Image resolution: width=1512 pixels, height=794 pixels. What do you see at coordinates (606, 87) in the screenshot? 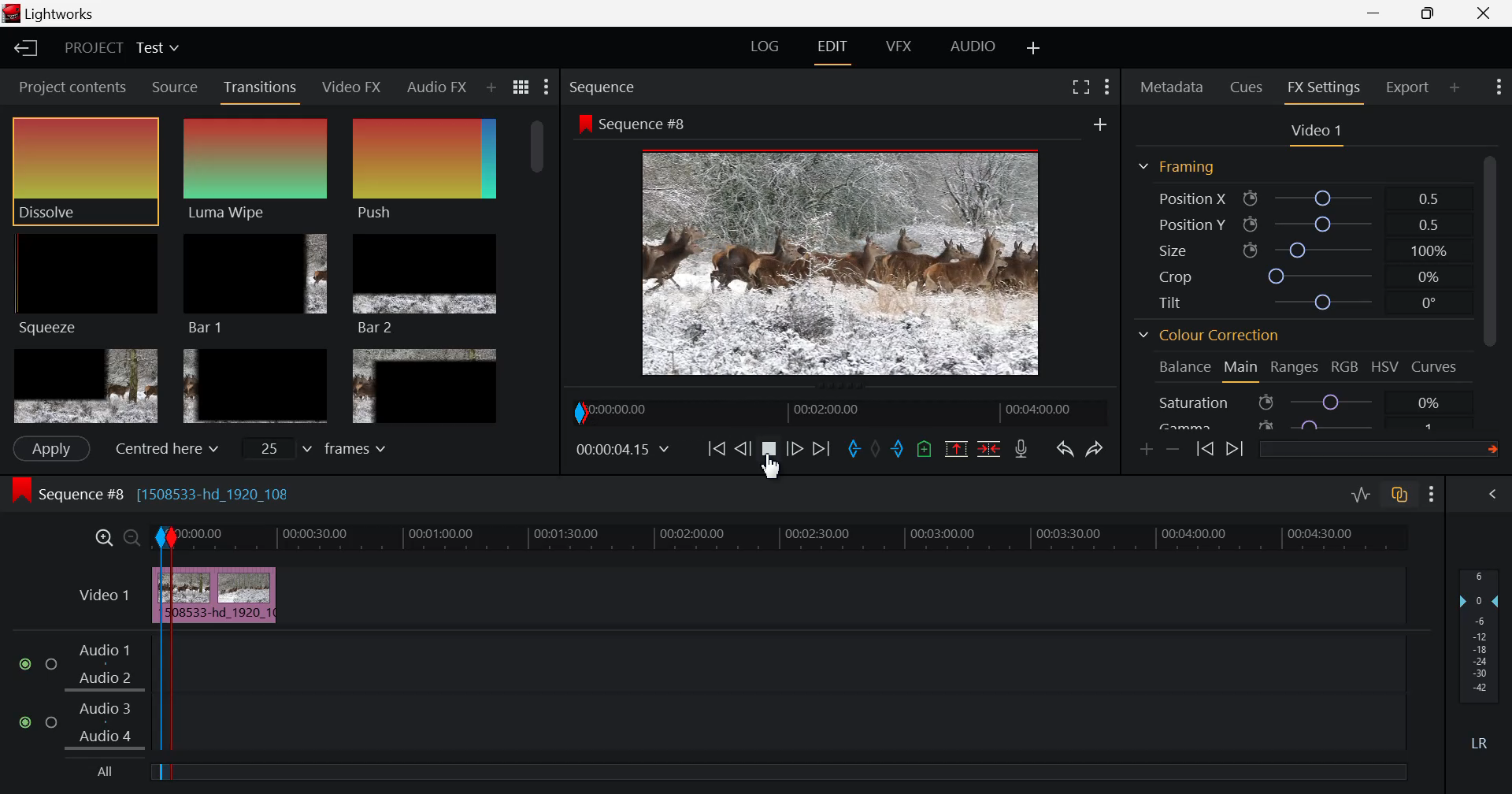
I see `Sequence ` at bounding box center [606, 87].